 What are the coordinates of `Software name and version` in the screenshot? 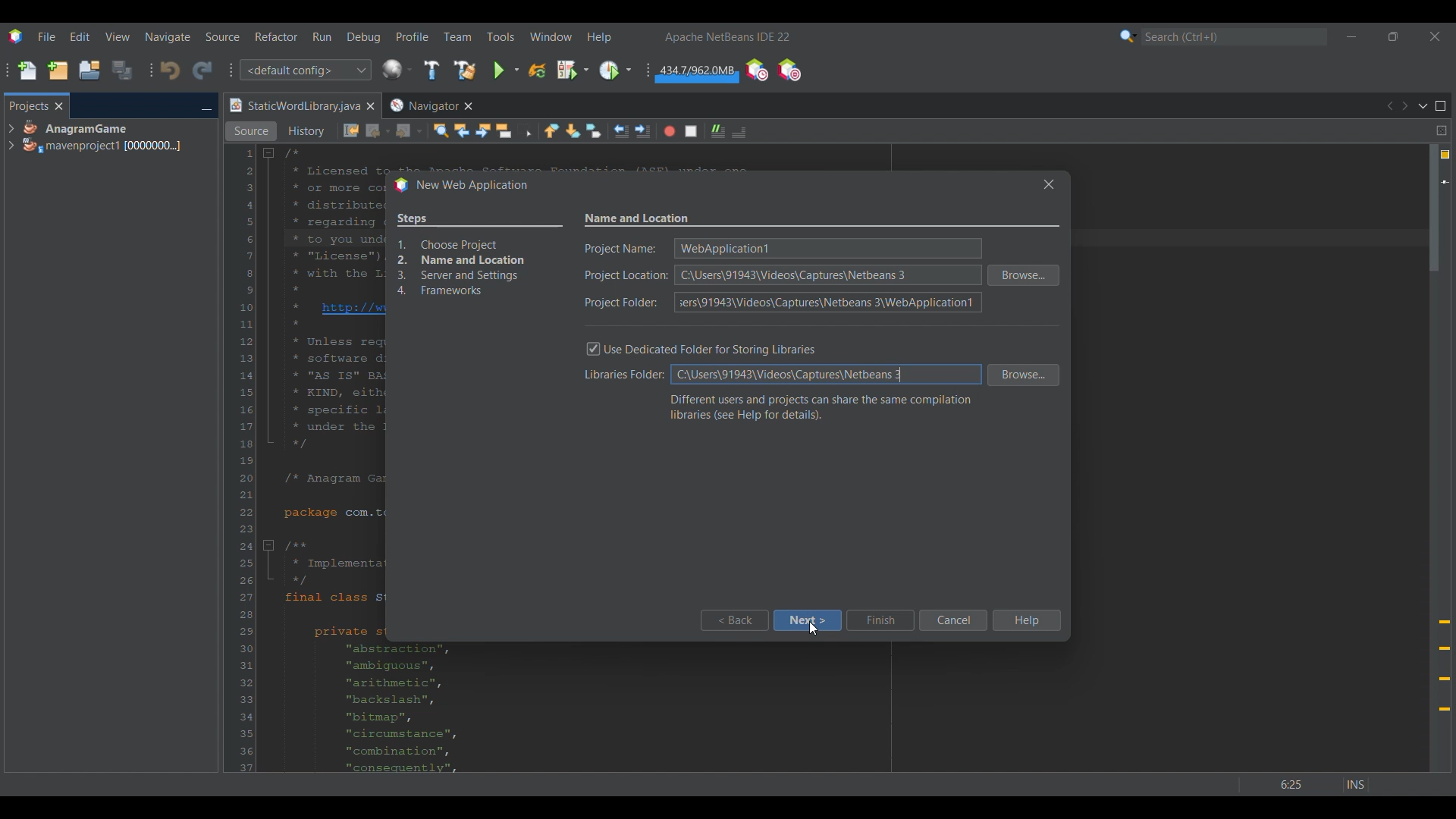 It's located at (728, 36).